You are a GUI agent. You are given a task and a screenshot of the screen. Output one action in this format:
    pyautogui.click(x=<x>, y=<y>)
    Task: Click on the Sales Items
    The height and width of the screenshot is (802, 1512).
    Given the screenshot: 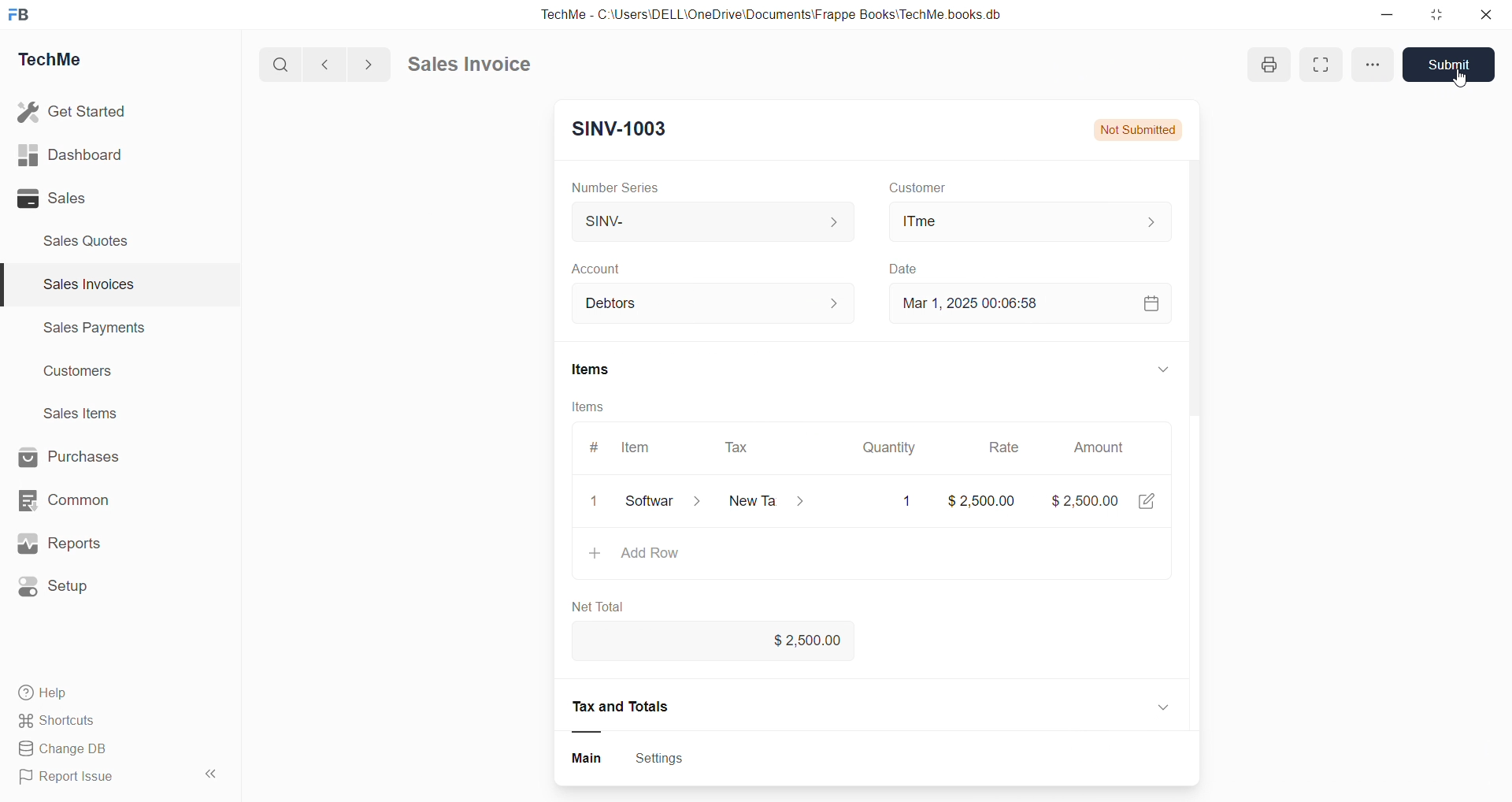 What is the action you would take?
    pyautogui.click(x=87, y=415)
    